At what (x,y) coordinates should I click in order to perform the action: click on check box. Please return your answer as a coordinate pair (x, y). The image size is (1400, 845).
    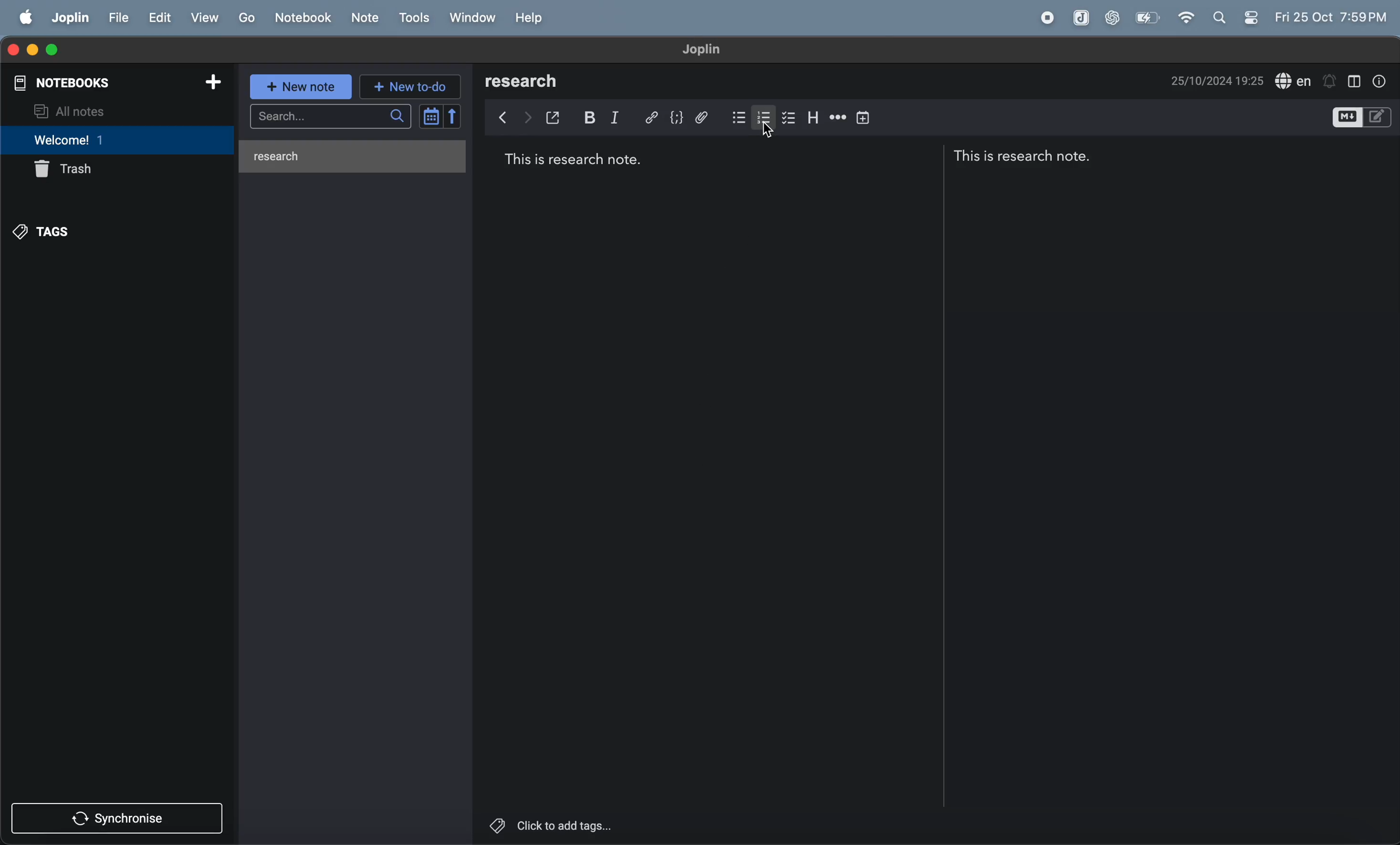
    Looking at the image, I should click on (792, 118).